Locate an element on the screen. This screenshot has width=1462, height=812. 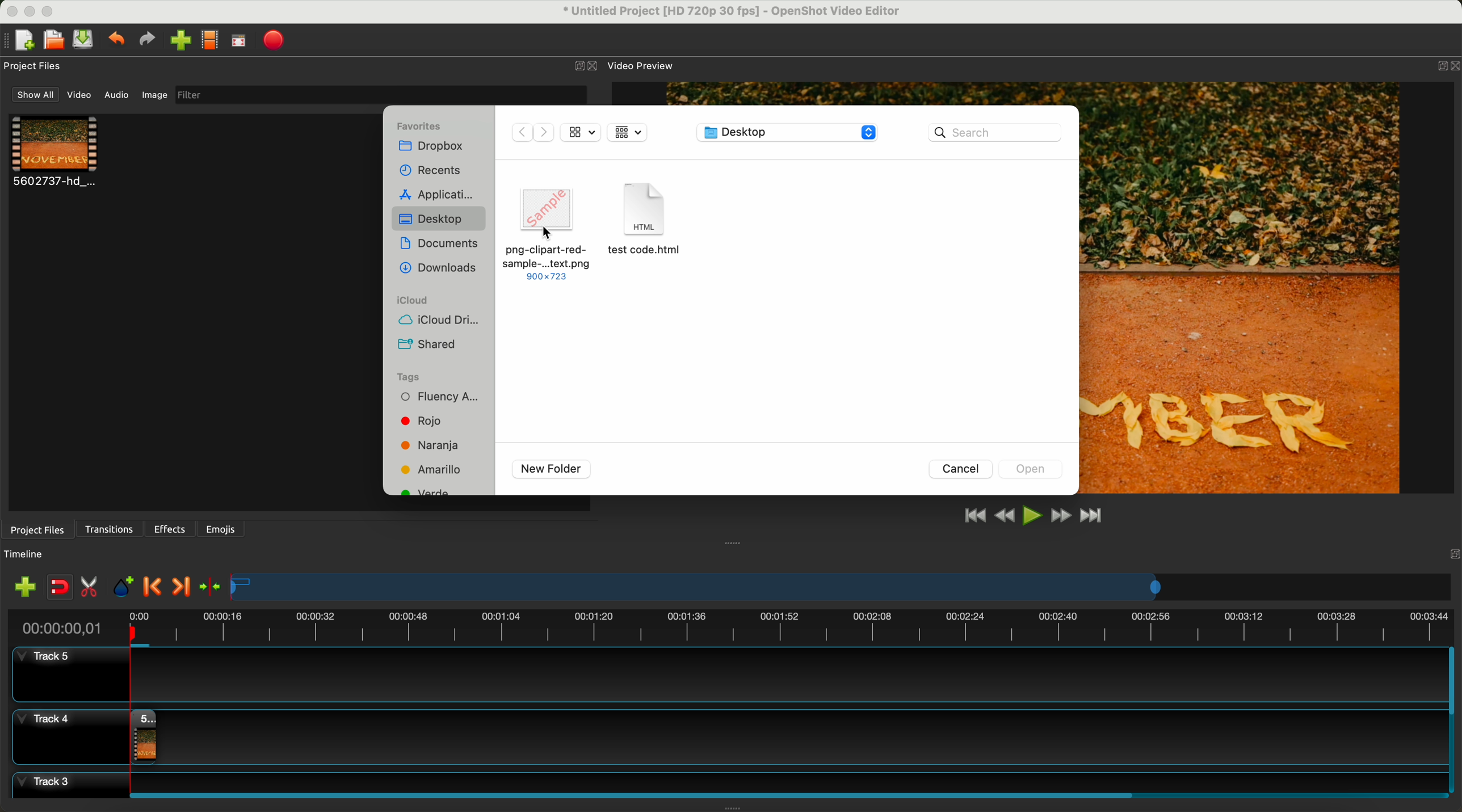
shares is located at coordinates (428, 343).